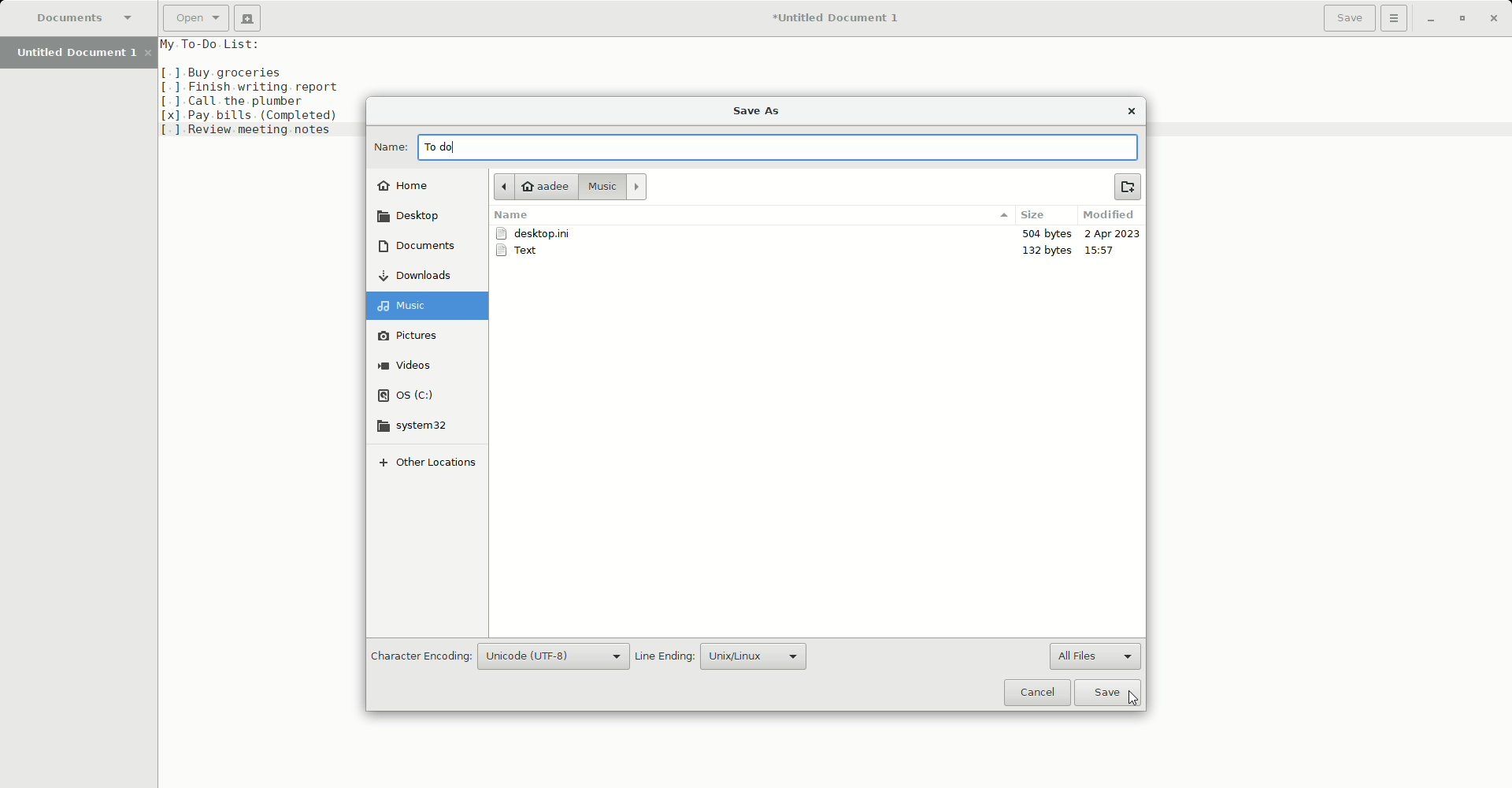  What do you see at coordinates (1460, 18) in the screenshot?
I see `Restore` at bounding box center [1460, 18].